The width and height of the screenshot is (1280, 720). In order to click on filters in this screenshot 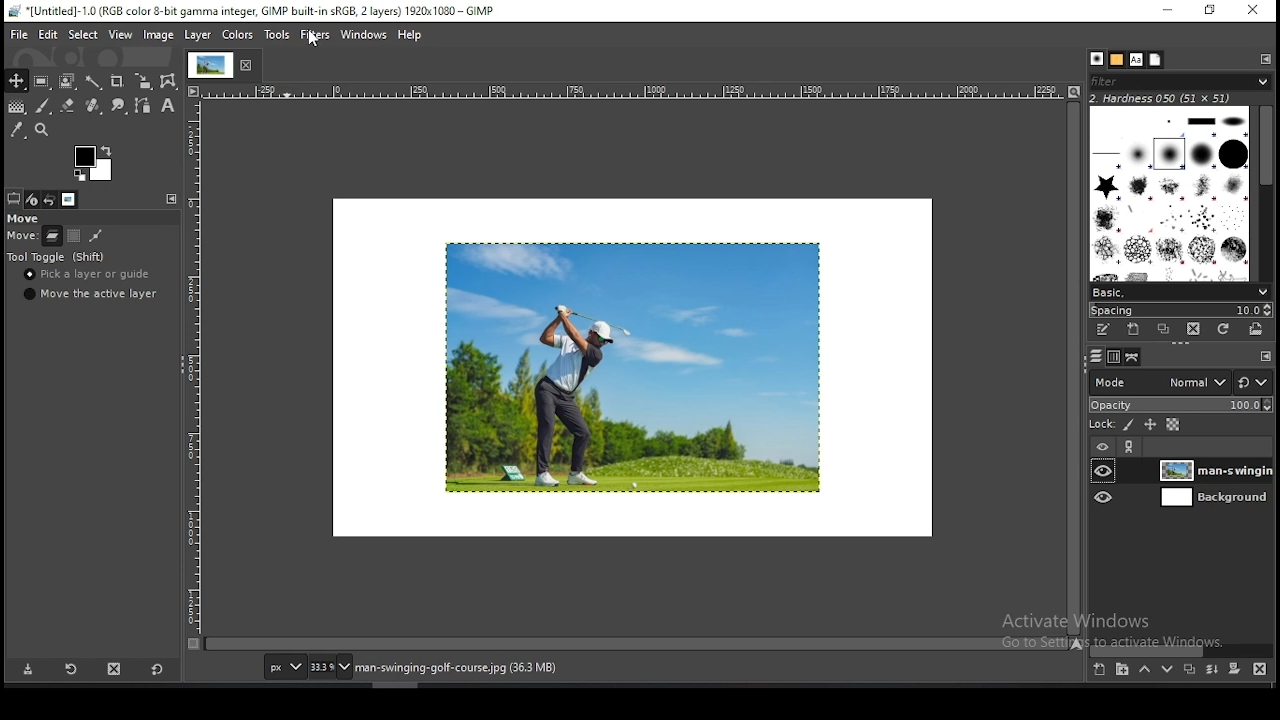, I will do `click(316, 34)`.